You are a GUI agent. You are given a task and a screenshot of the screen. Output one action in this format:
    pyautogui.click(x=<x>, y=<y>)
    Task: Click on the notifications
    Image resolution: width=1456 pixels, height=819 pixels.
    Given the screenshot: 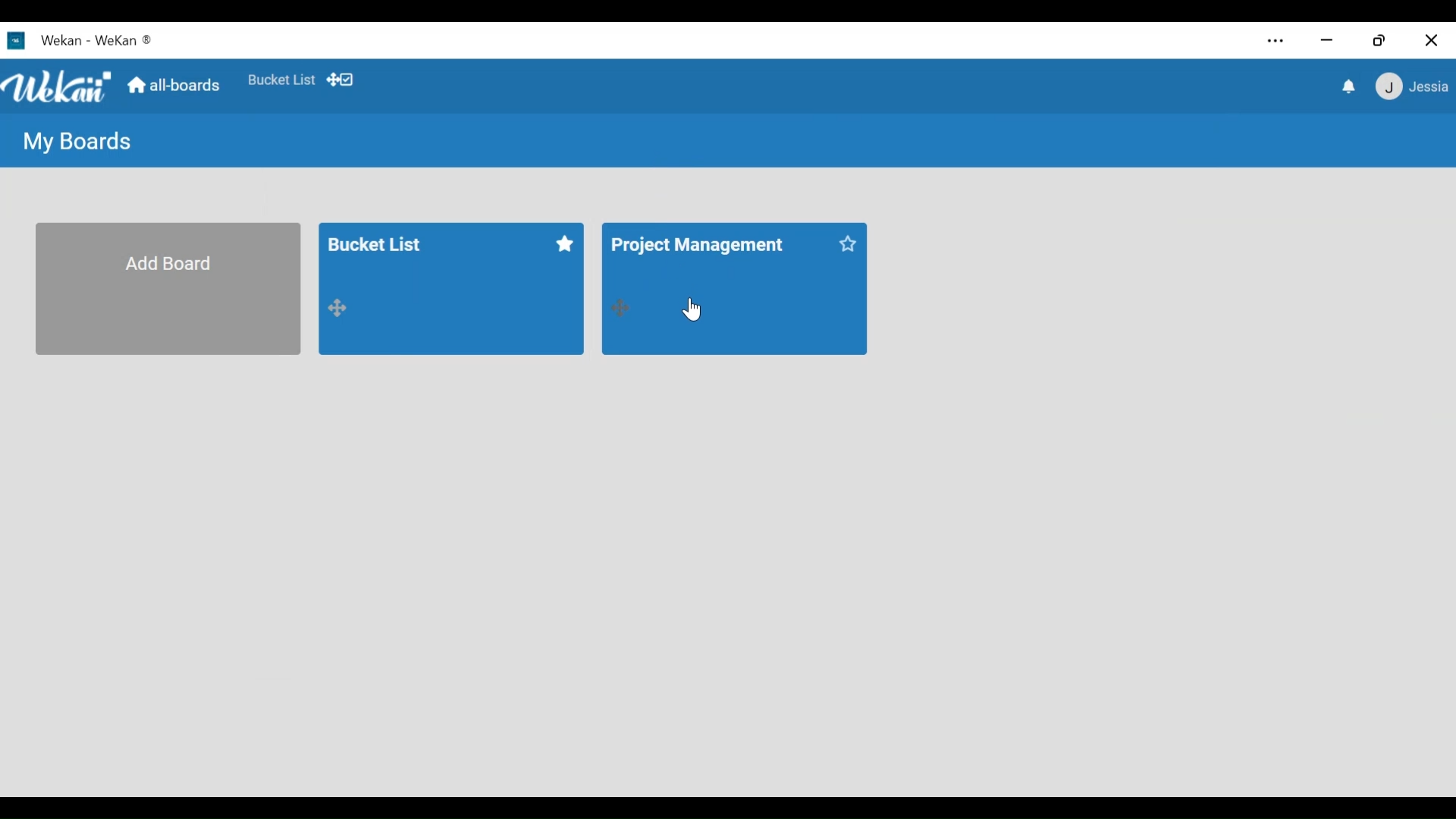 What is the action you would take?
    pyautogui.click(x=1348, y=86)
    